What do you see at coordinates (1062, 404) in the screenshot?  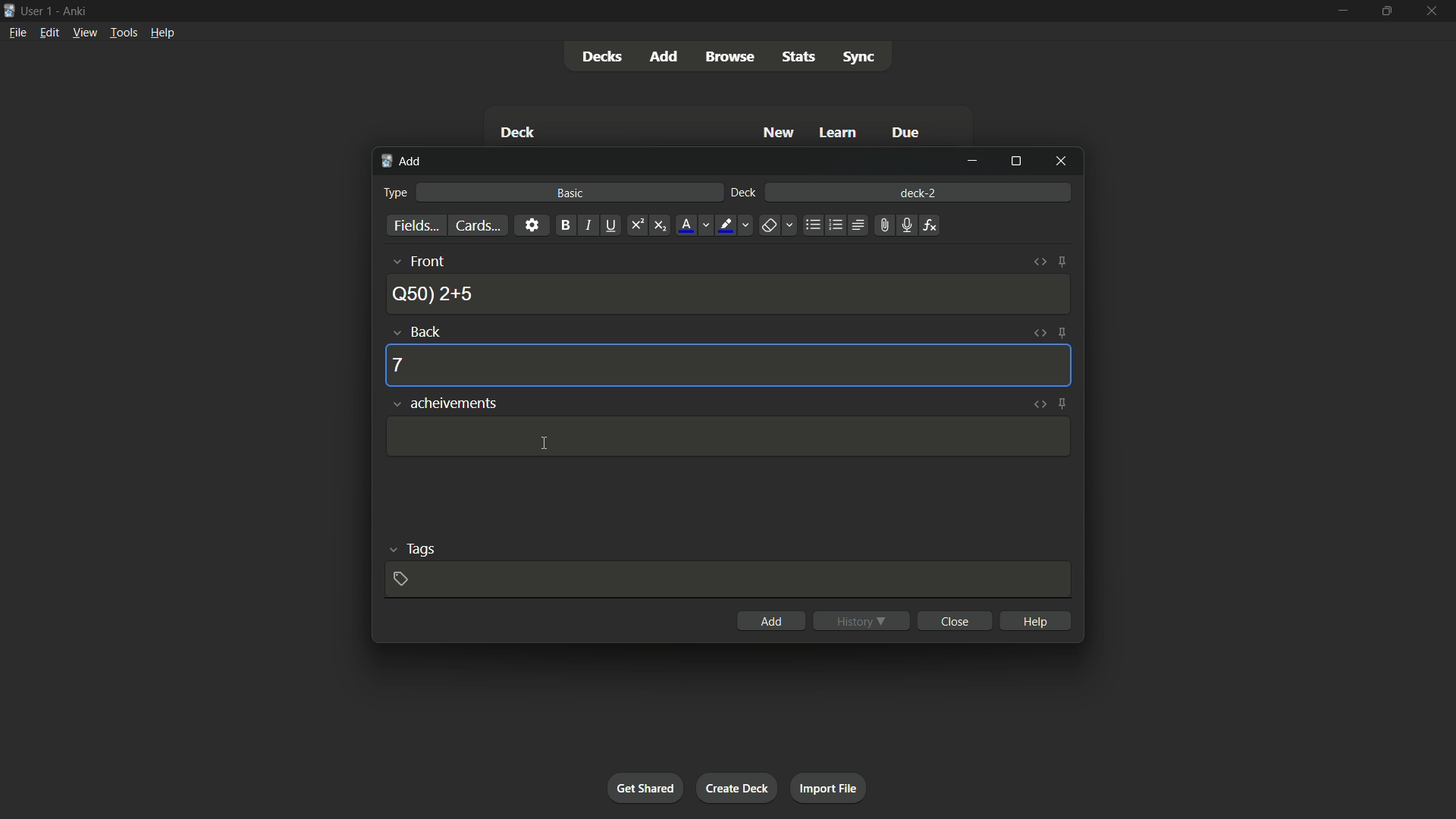 I see `toggle sticky` at bounding box center [1062, 404].